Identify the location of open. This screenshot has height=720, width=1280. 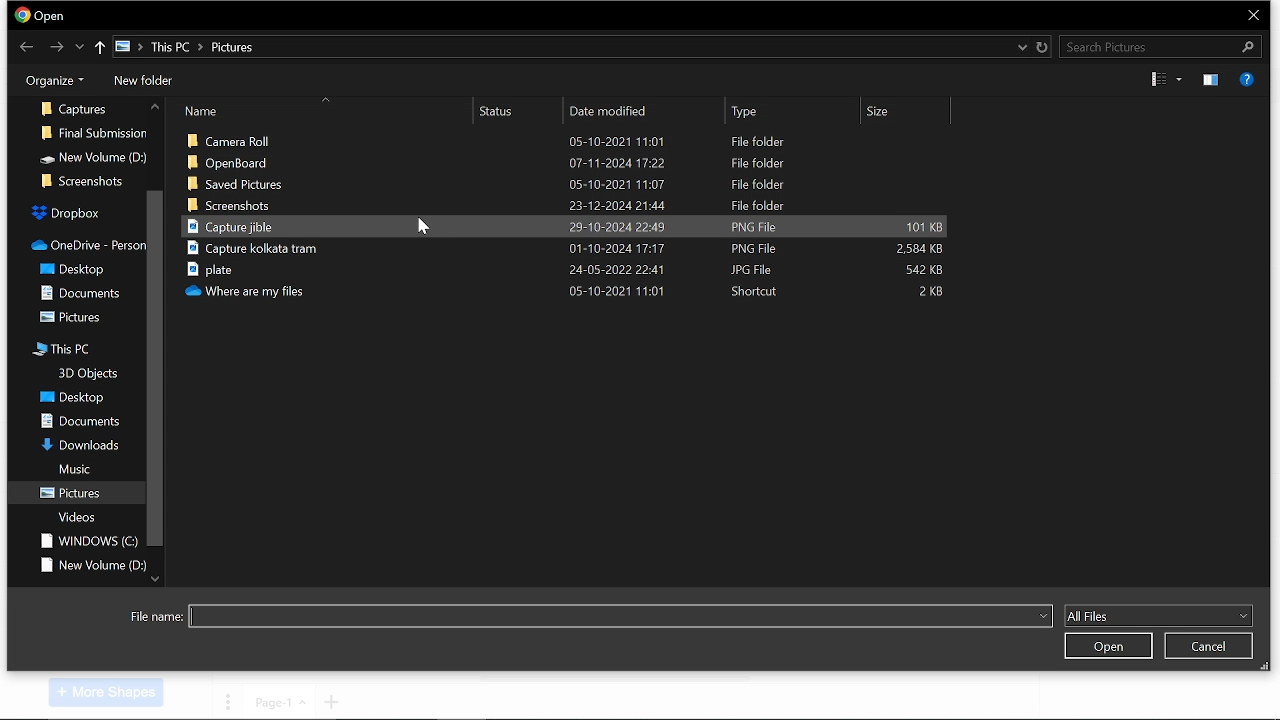
(1106, 646).